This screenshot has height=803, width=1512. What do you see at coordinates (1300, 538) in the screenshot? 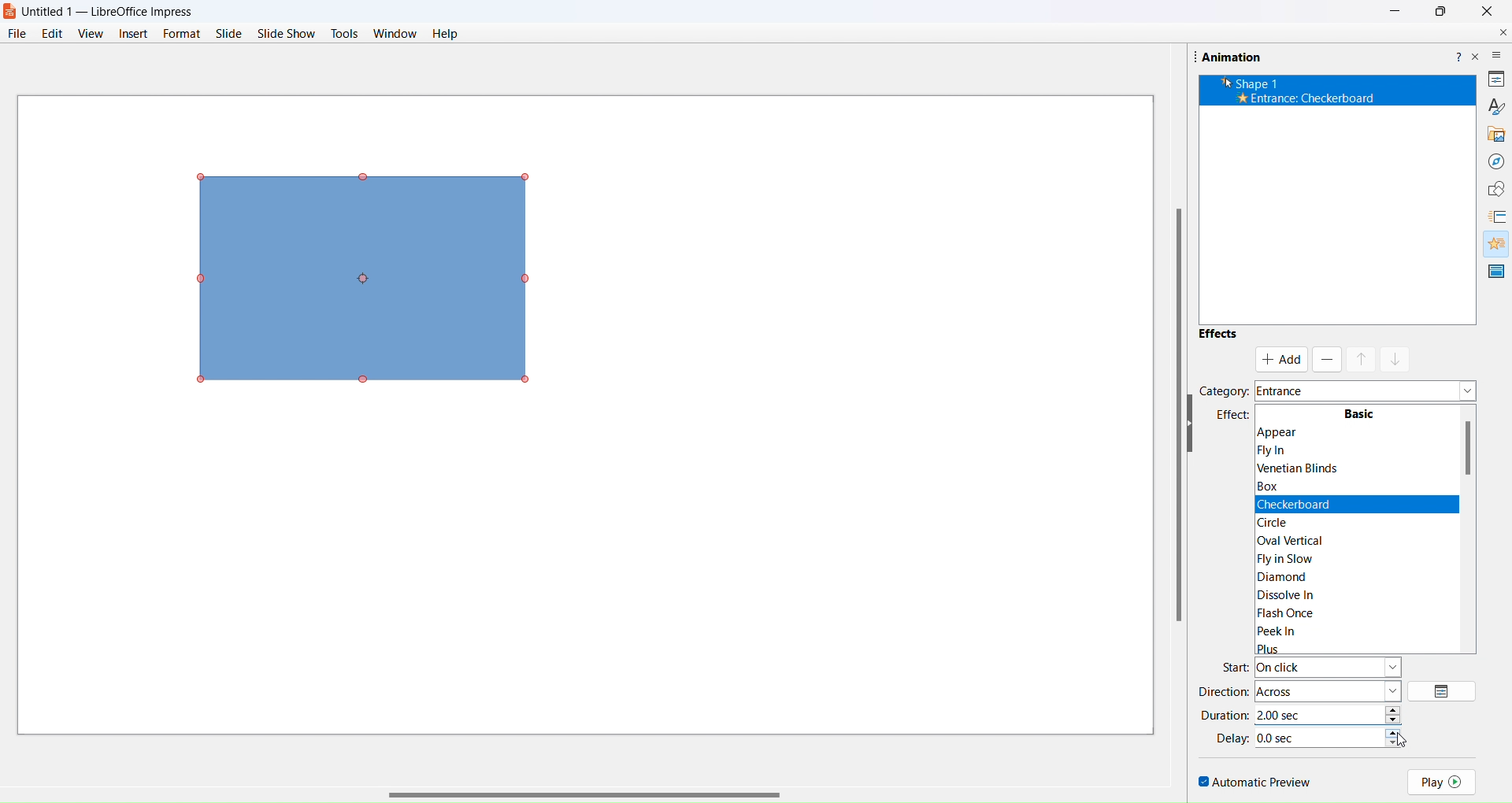
I see `|Oval Vertical` at bounding box center [1300, 538].